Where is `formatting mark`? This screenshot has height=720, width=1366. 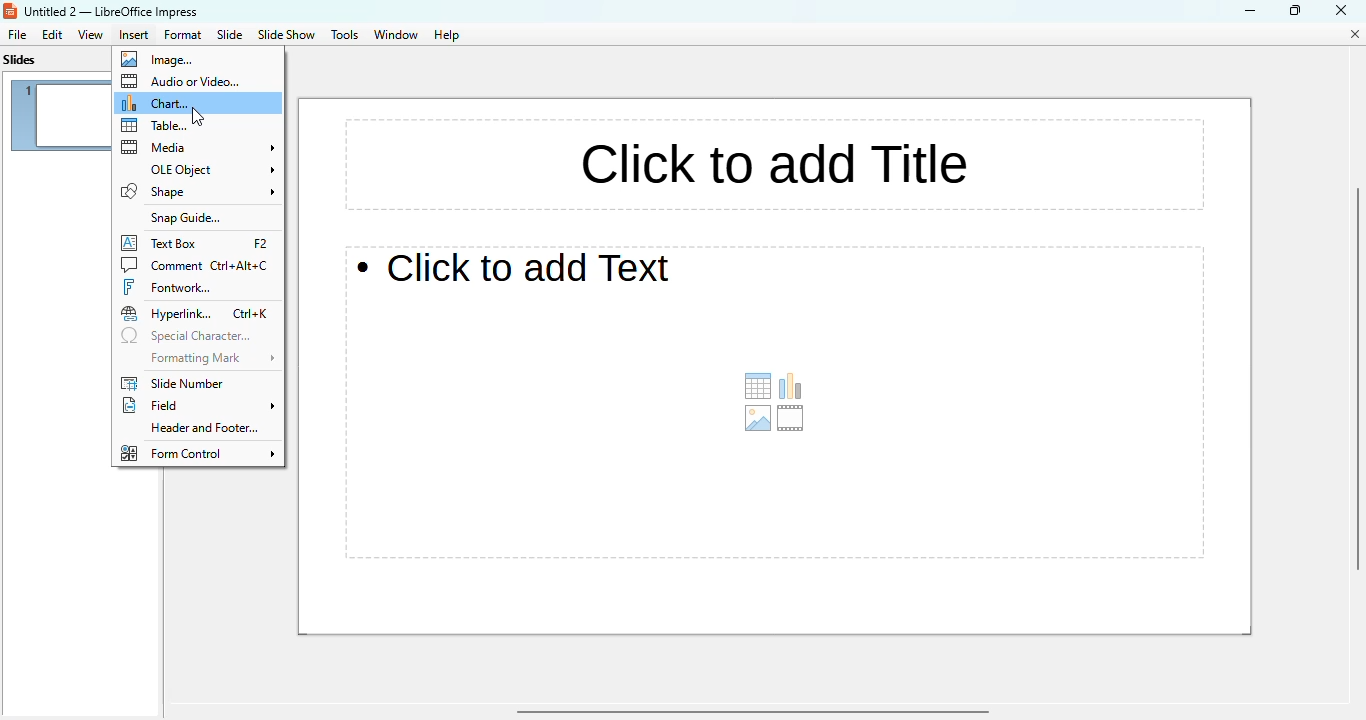
formatting mark is located at coordinates (211, 357).